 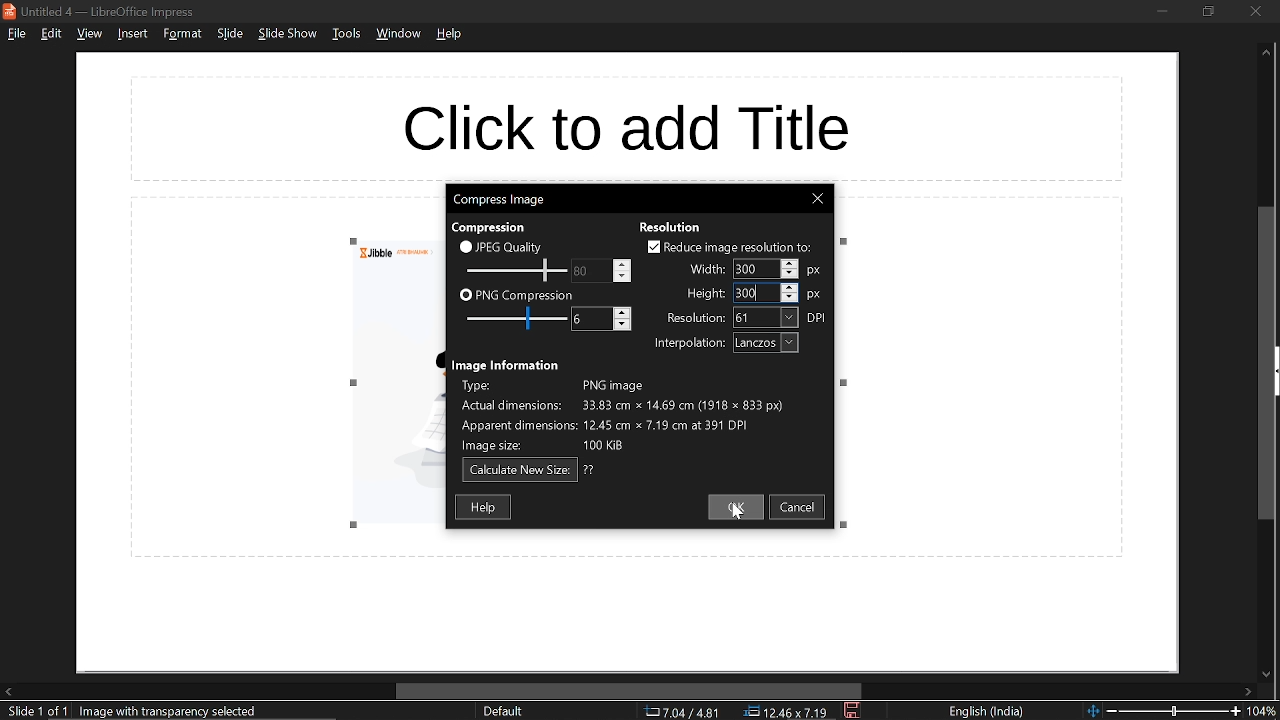 What do you see at coordinates (750, 294) in the screenshot?
I see `Selected` at bounding box center [750, 294].